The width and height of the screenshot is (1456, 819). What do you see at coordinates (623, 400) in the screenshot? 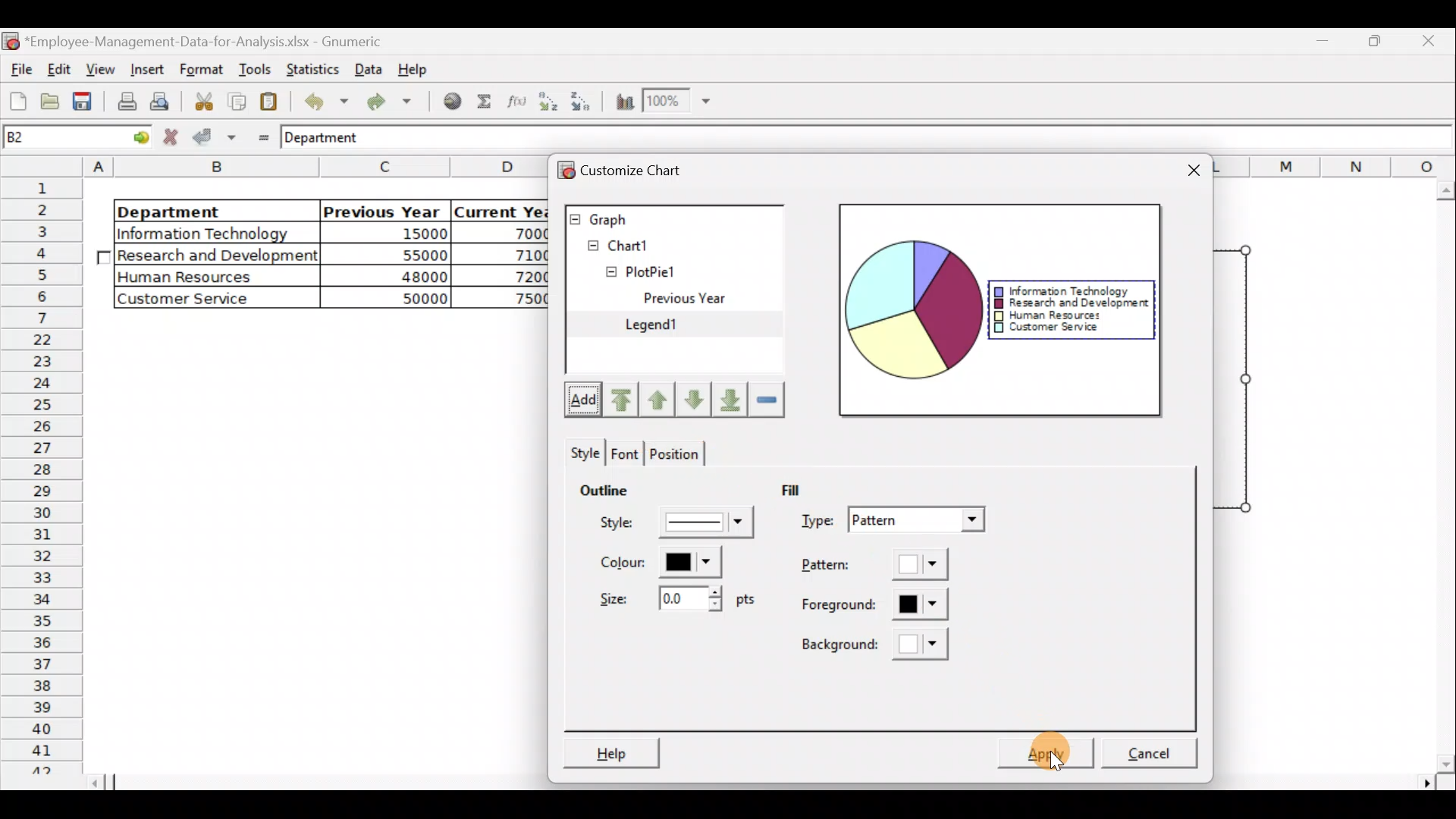
I see `Move upward` at bounding box center [623, 400].